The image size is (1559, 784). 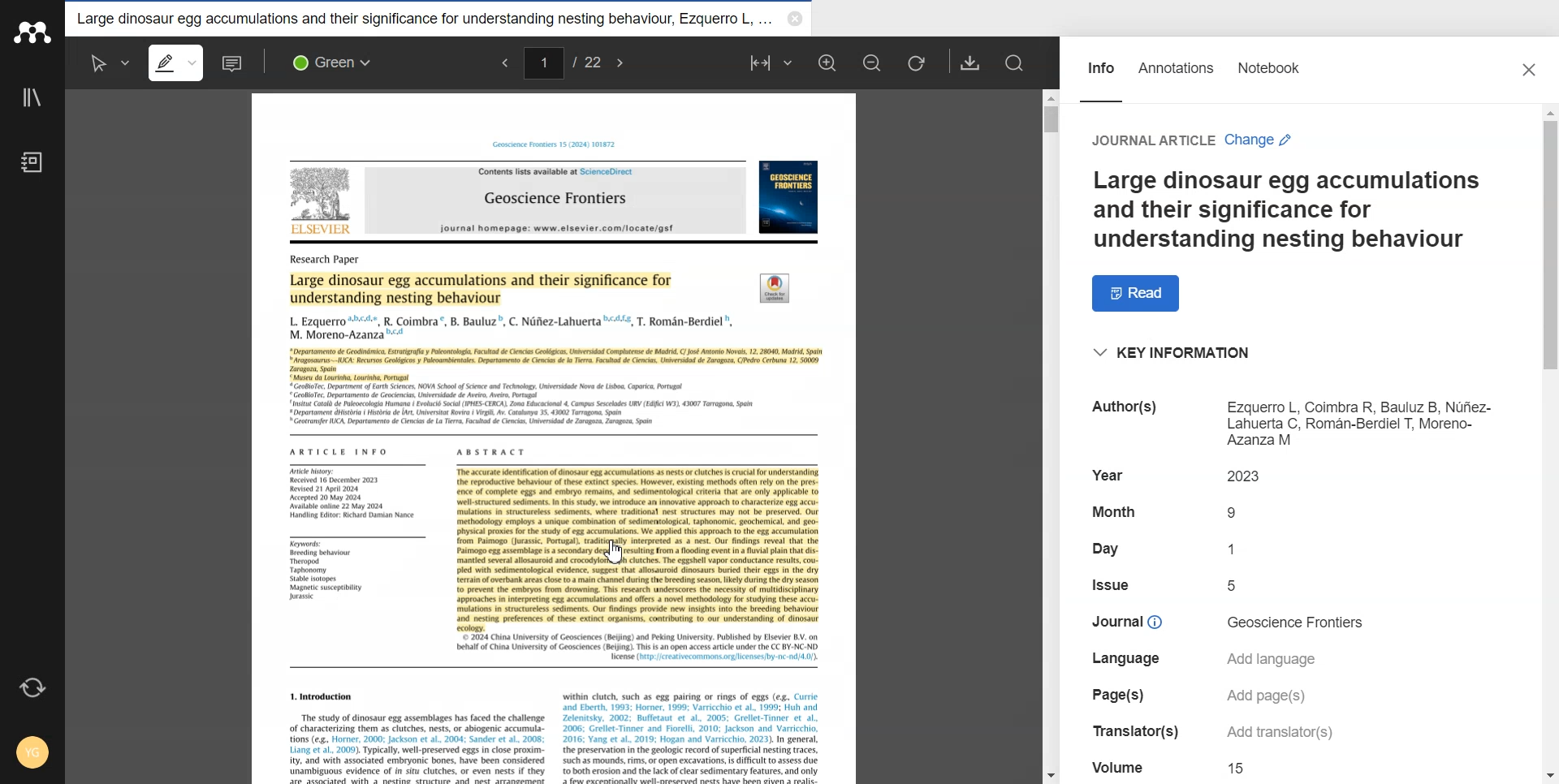 What do you see at coordinates (1544, 444) in the screenshot?
I see `Vertical scroll bar` at bounding box center [1544, 444].